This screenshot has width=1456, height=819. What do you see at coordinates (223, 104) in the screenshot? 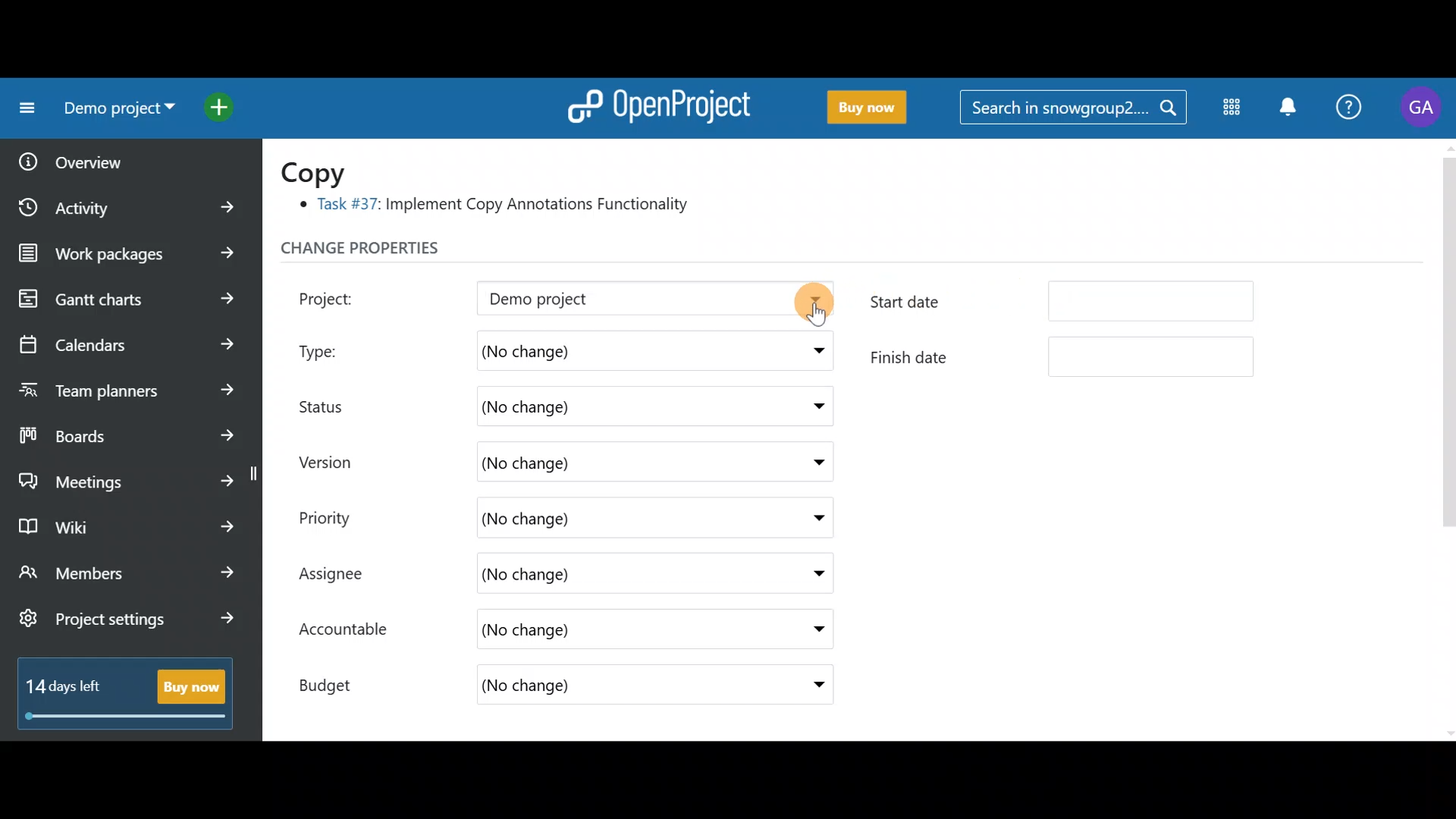
I see `Open quick add menu` at bounding box center [223, 104].